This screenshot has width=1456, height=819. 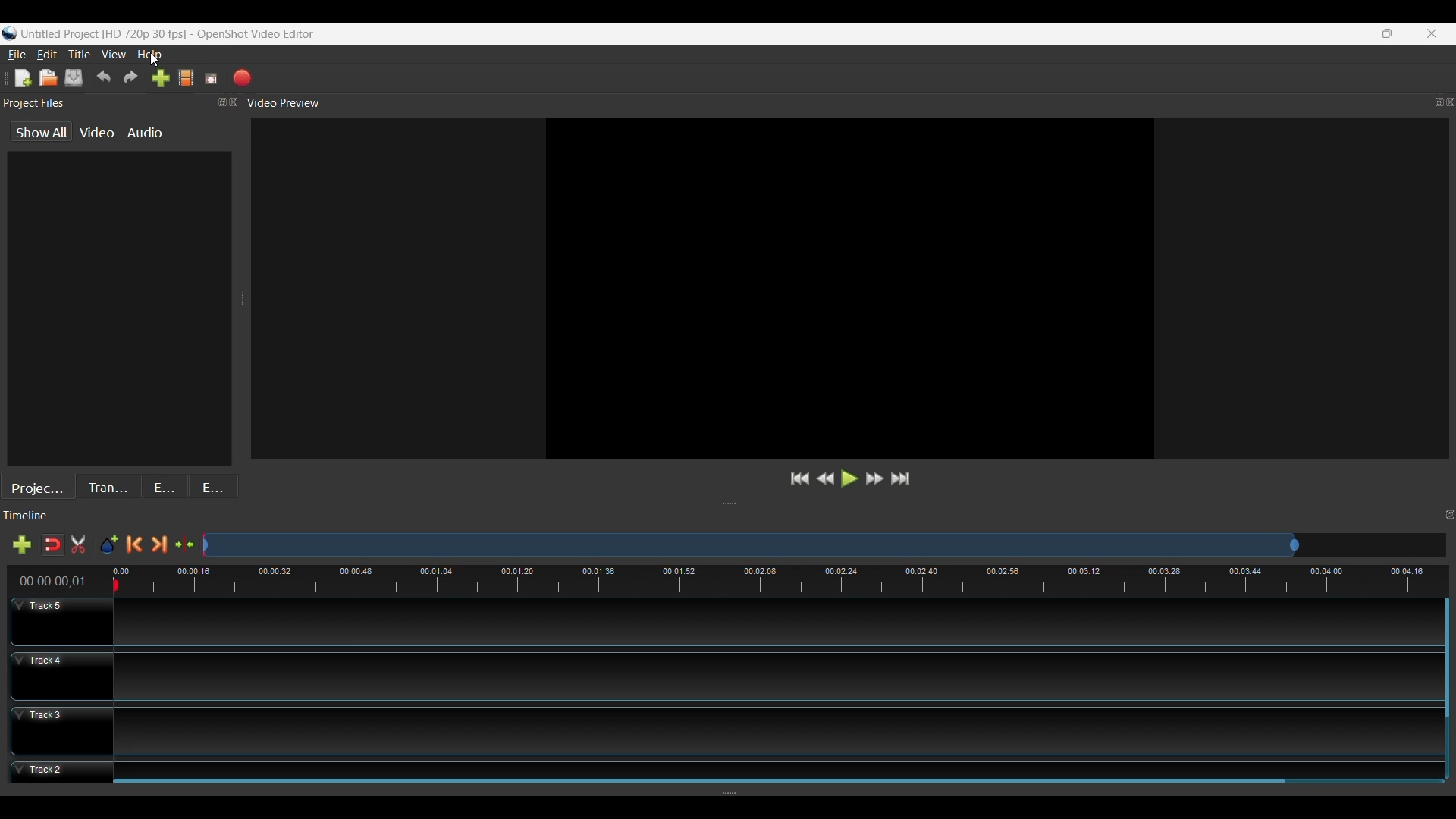 What do you see at coordinates (731, 580) in the screenshot?
I see `Timeline` at bounding box center [731, 580].